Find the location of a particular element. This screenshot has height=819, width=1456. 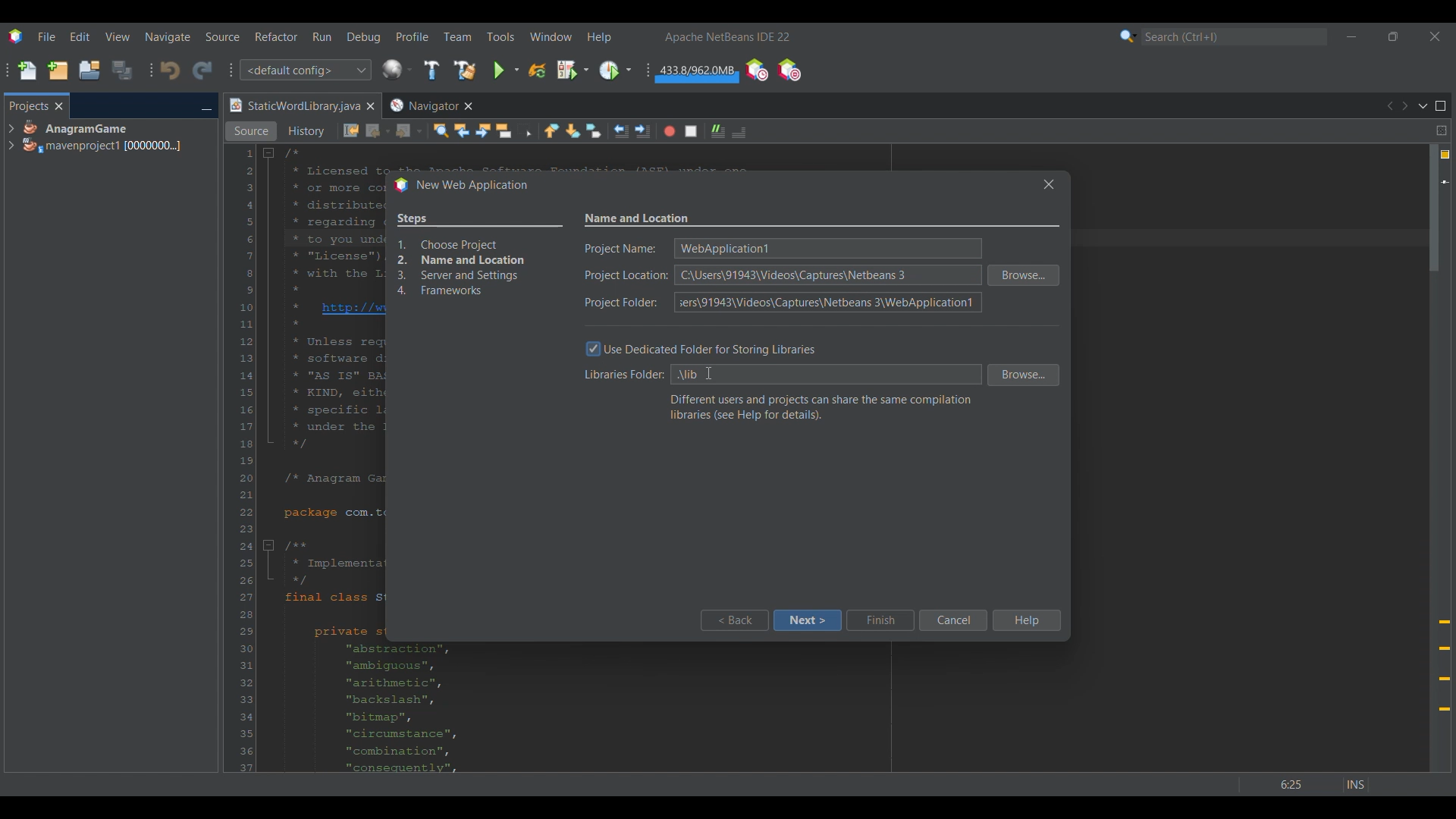

 is located at coordinates (1313, 780).